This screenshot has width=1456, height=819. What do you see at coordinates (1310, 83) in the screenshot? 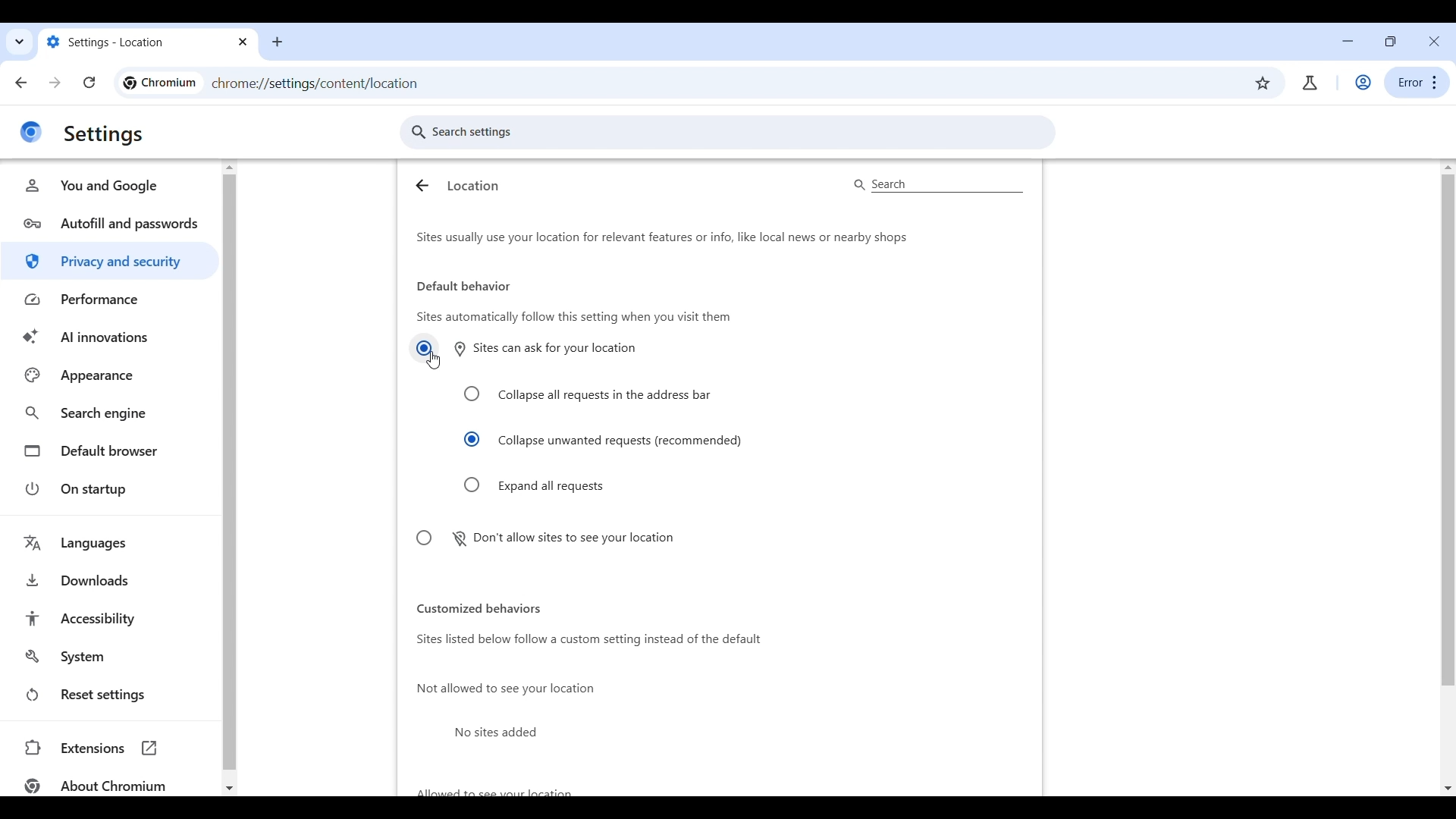
I see `Chrome labs` at bounding box center [1310, 83].